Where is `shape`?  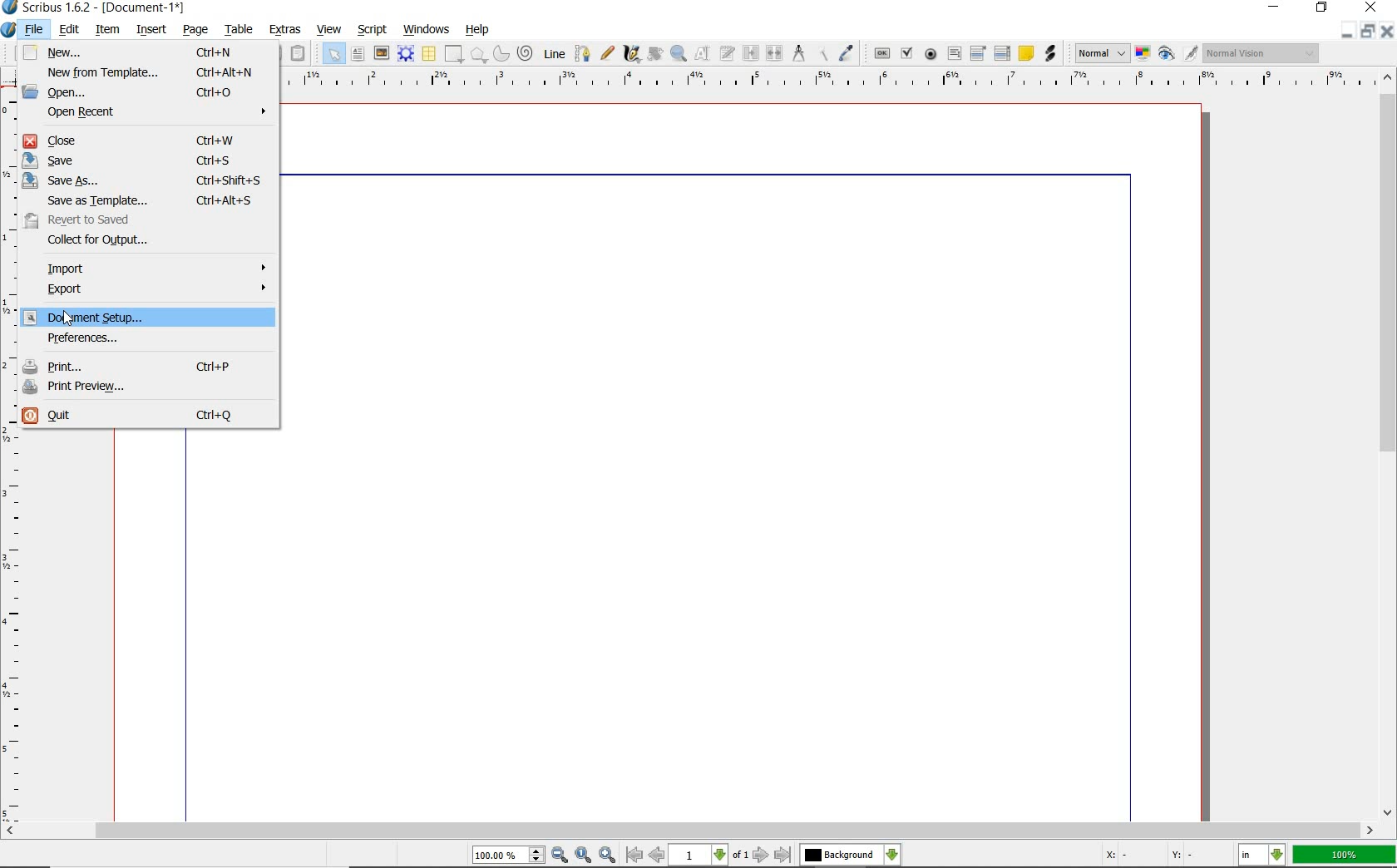 shape is located at coordinates (478, 54).